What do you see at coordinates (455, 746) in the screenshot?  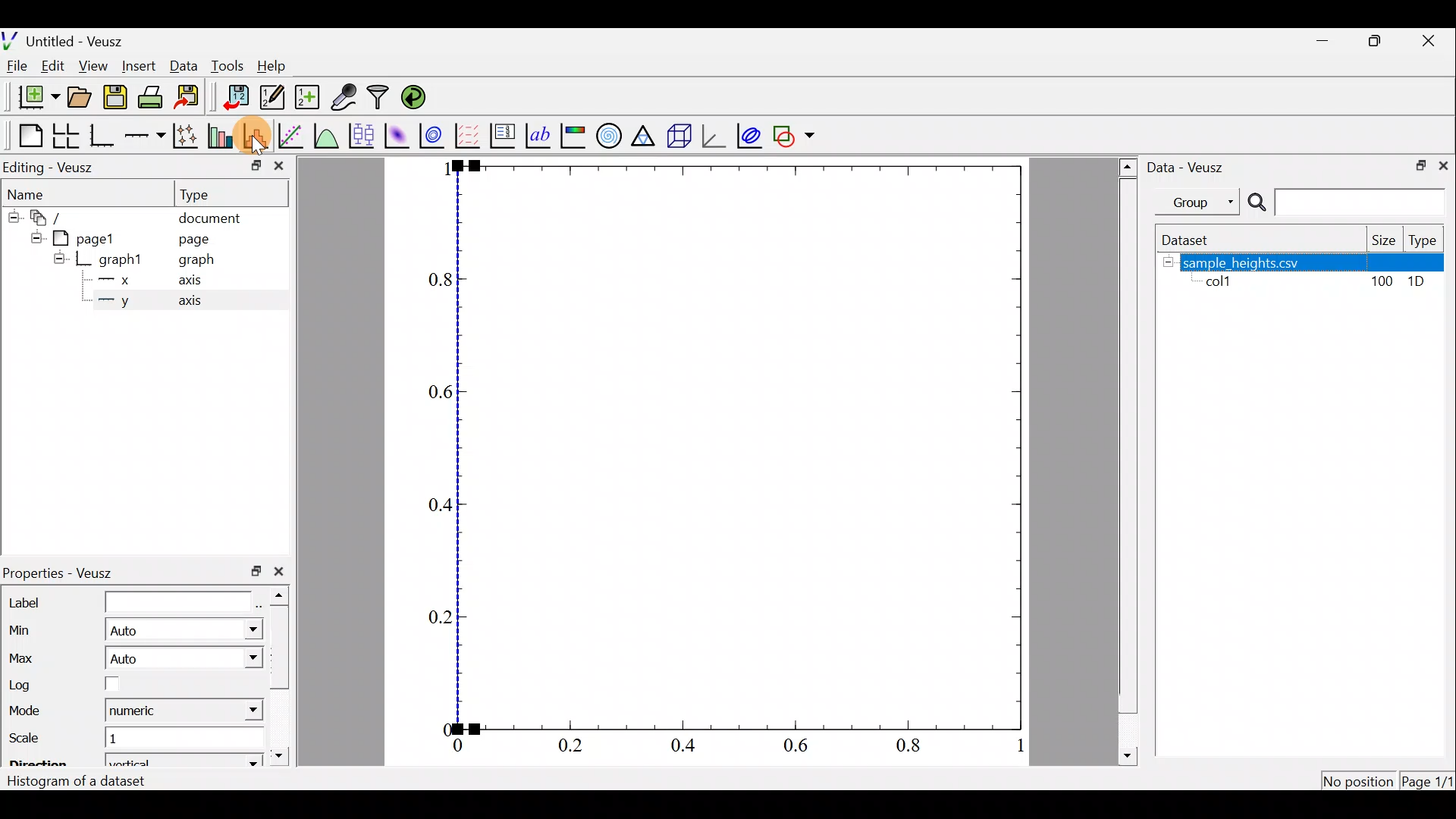 I see `0` at bounding box center [455, 746].